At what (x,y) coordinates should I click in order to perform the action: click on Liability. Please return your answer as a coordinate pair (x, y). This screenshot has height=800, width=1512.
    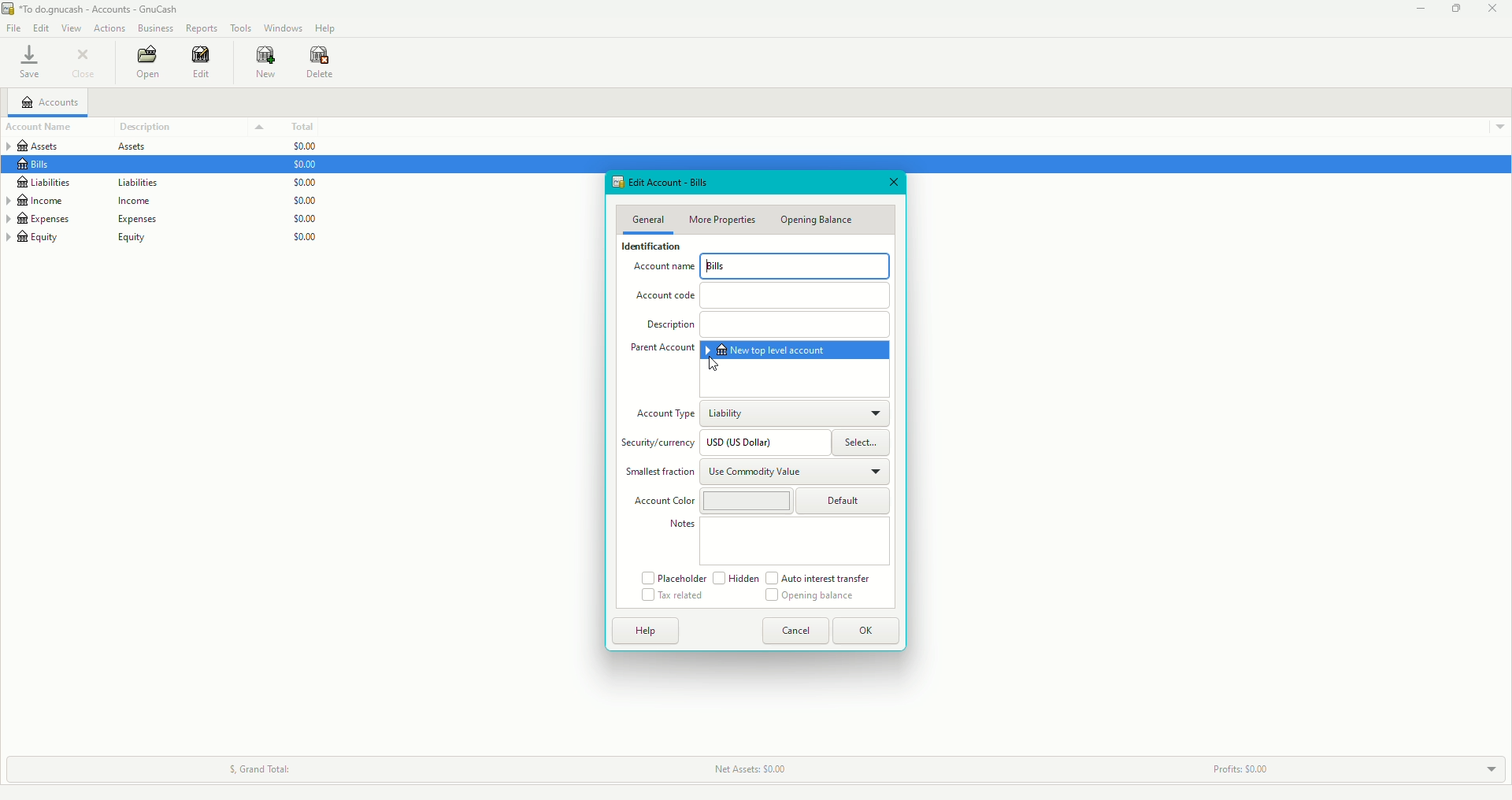
    Looking at the image, I should click on (795, 412).